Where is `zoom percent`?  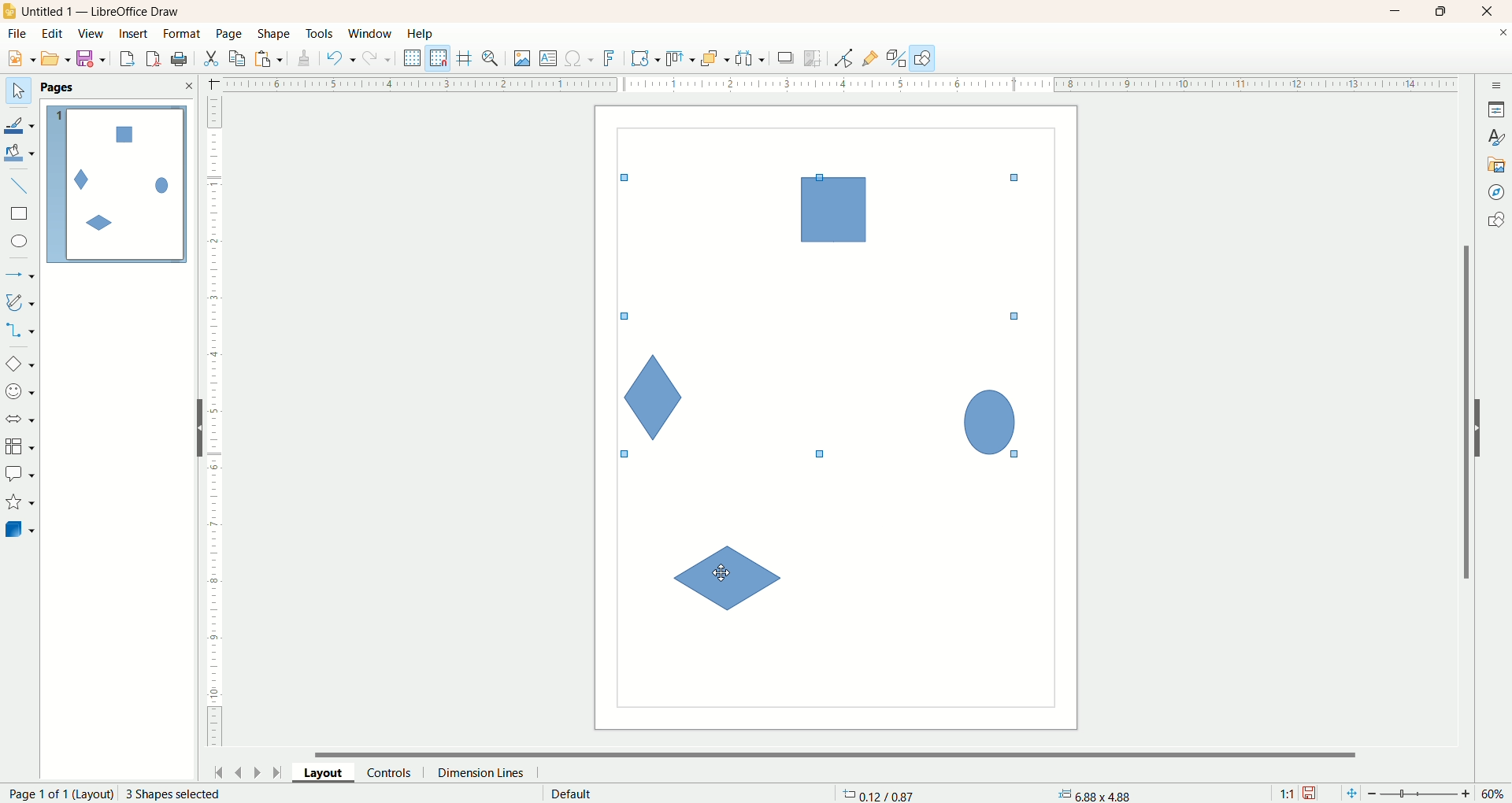 zoom percent is located at coordinates (1495, 794).